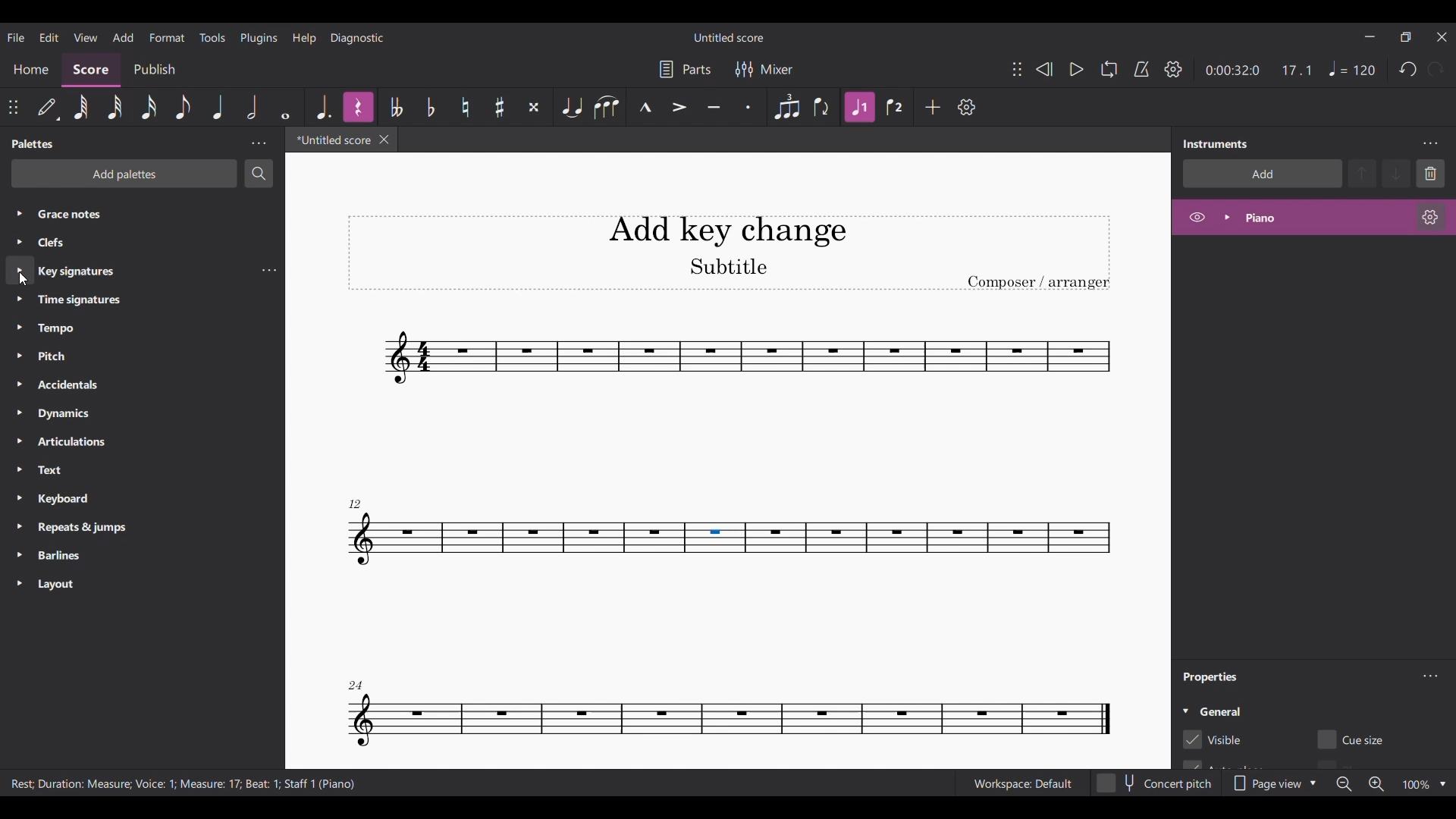 Image resolution: width=1456 pixels, height=819 pixels. What do you see at coordinates (1430, 174) in the screenshot?
I see `Delete selection` at bounding box center [1430, 174].